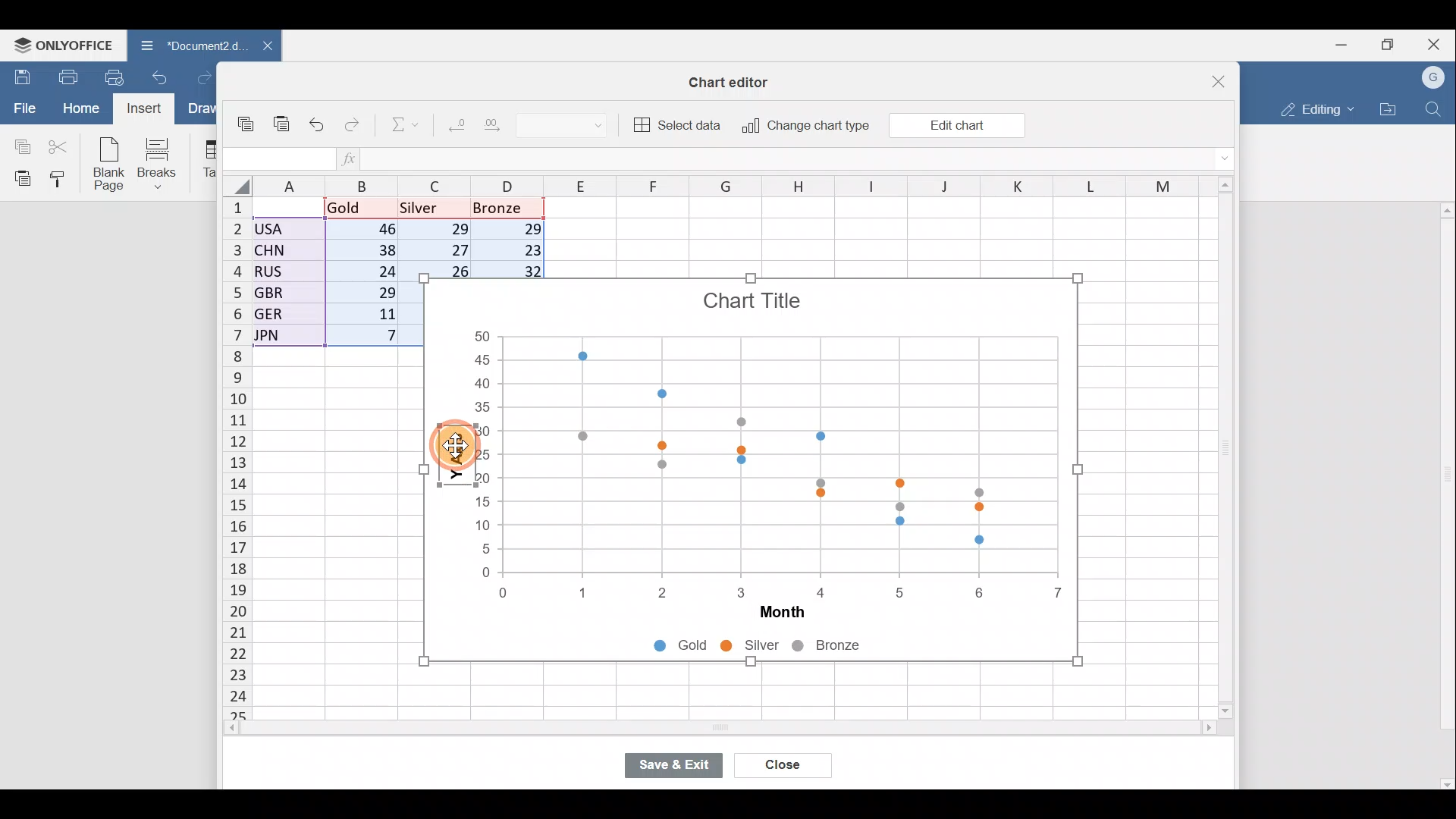  I want to click on Draw, so click(199, 108).